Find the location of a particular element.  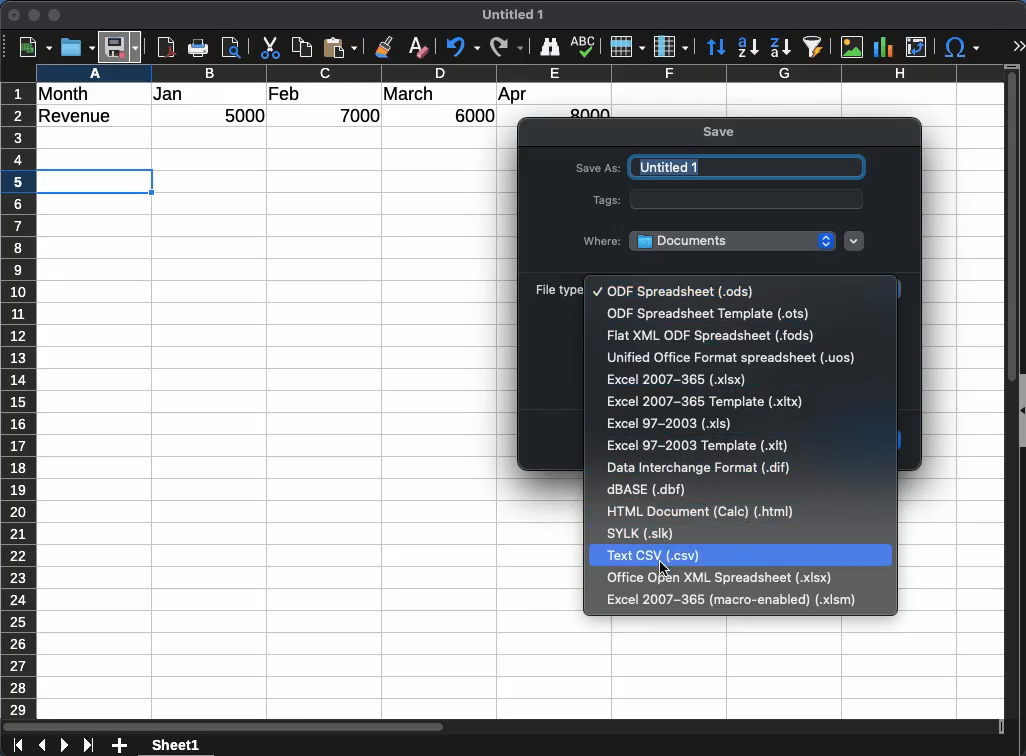

pivot table is located at coordinates (915, 48).